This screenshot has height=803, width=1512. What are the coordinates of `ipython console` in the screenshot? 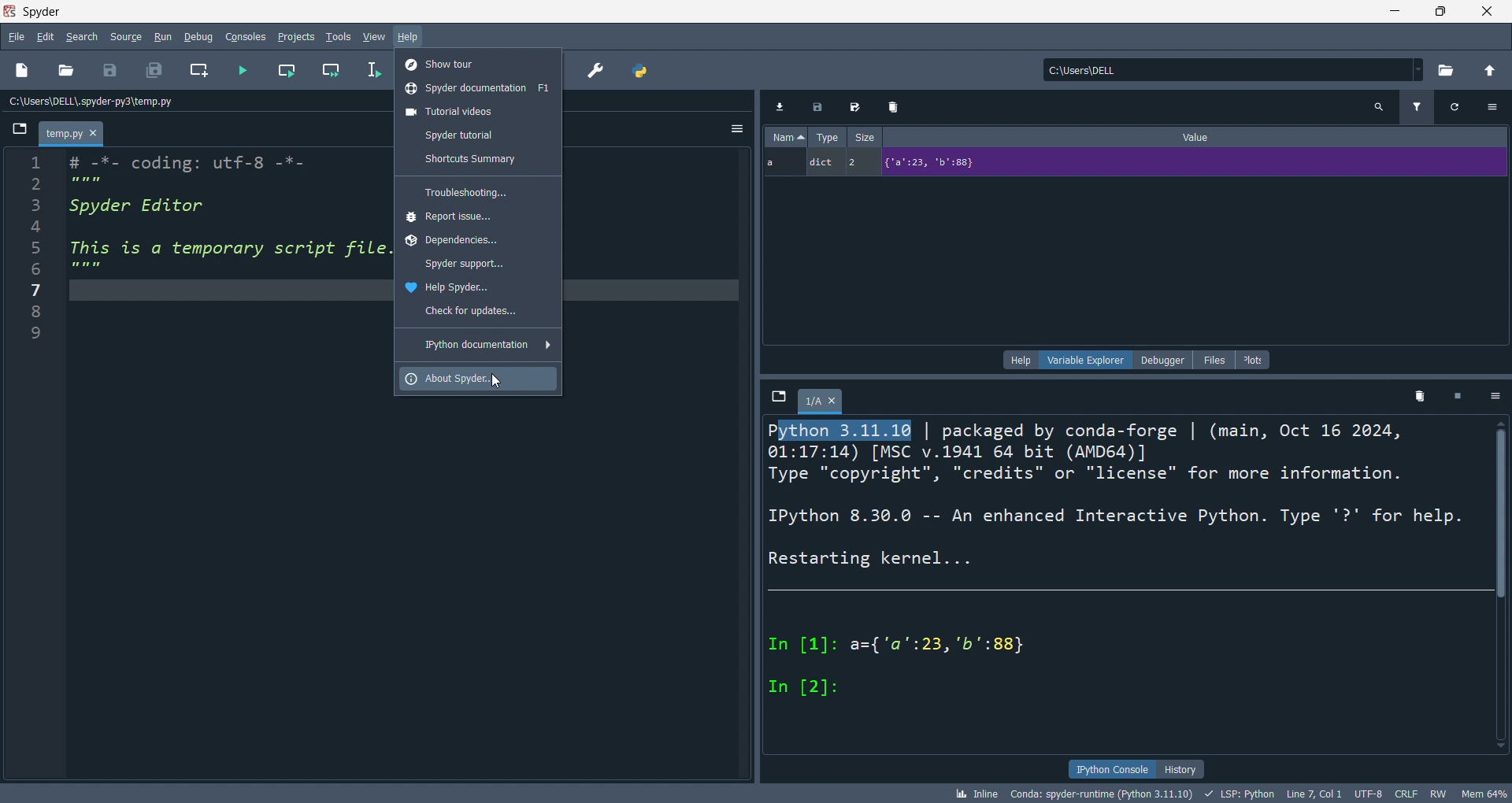 It's located at (1110, 768).